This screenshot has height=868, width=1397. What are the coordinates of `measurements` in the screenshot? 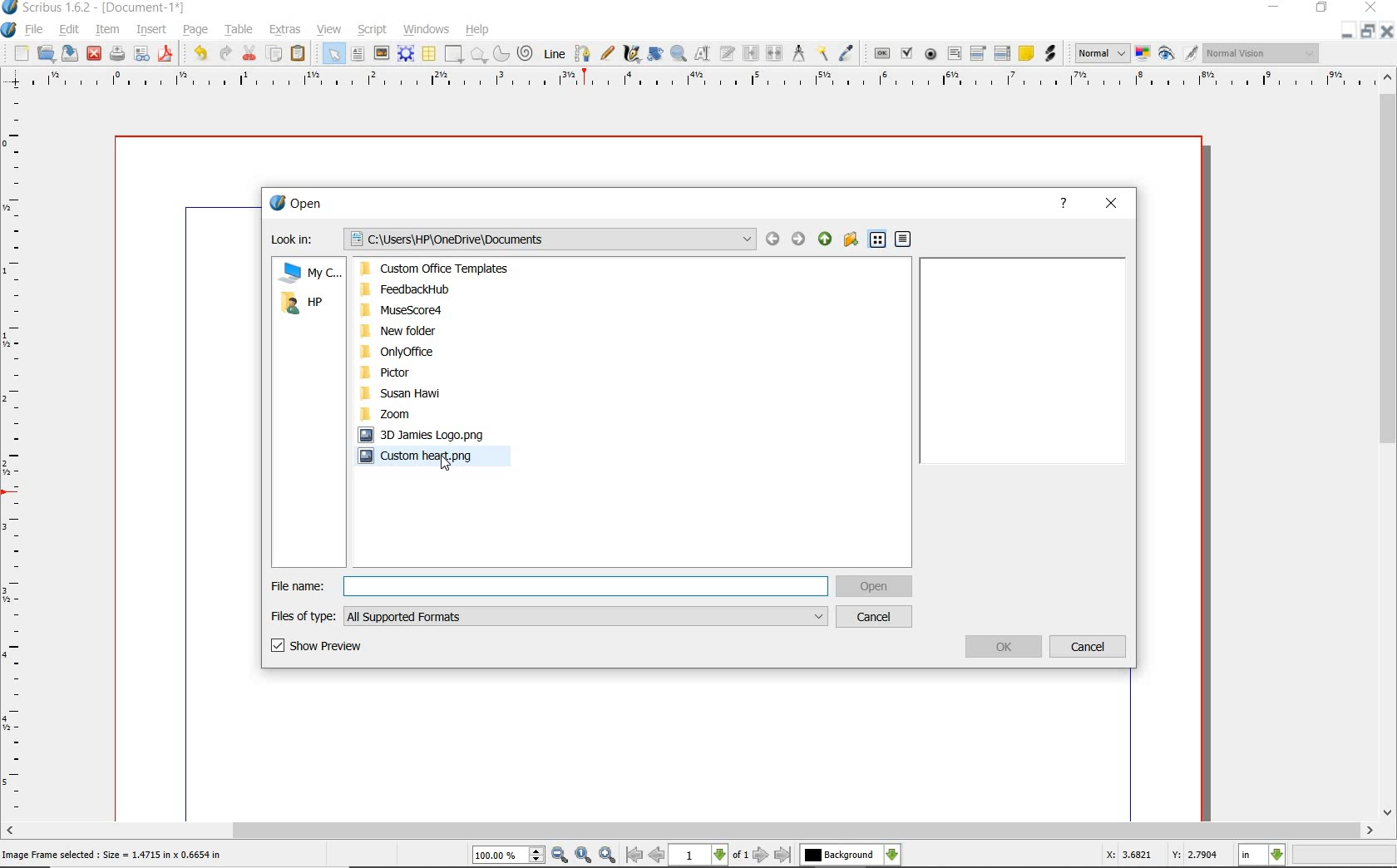 It's located at (799, 53).